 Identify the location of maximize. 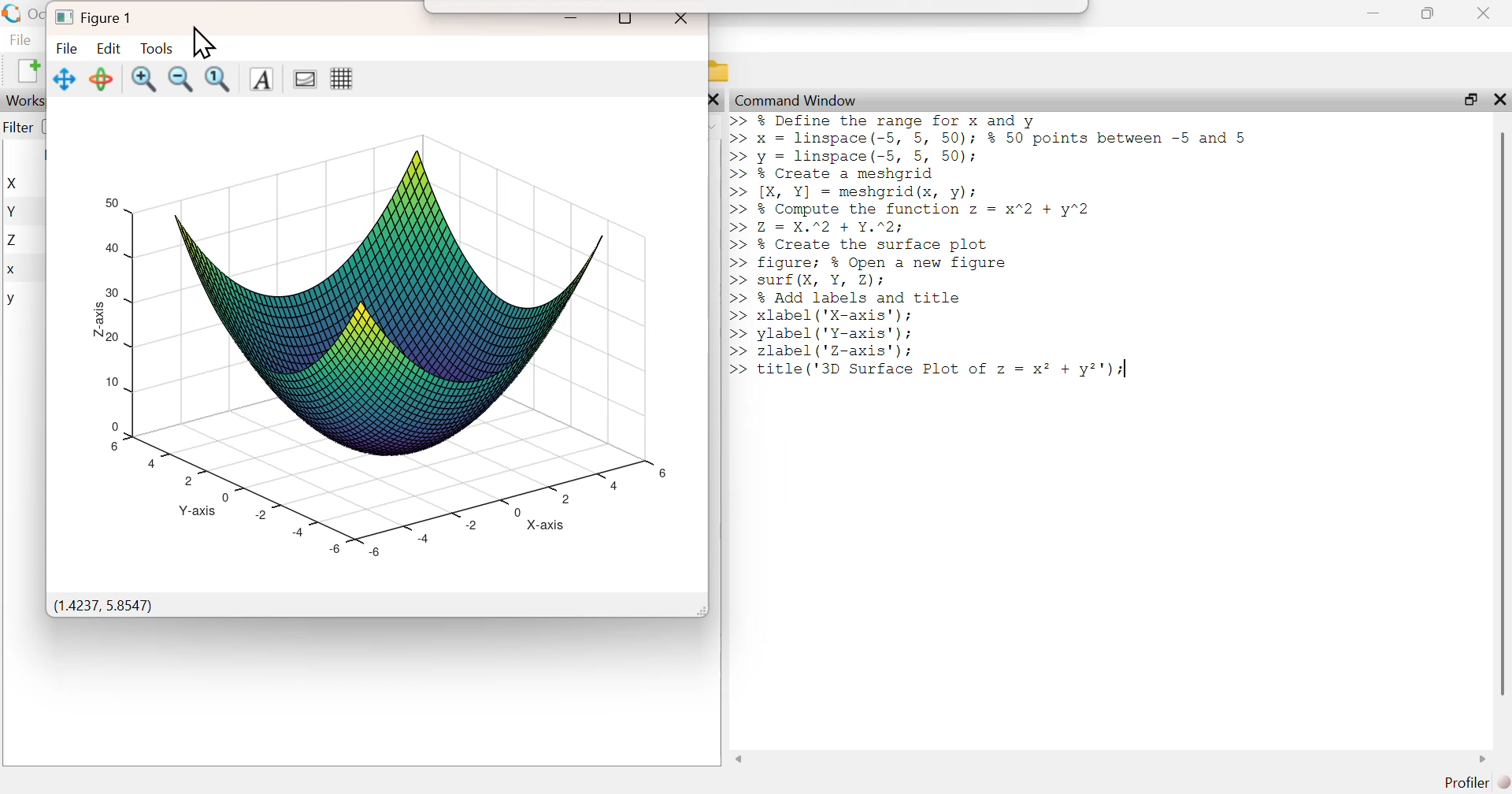
(1469, 98).